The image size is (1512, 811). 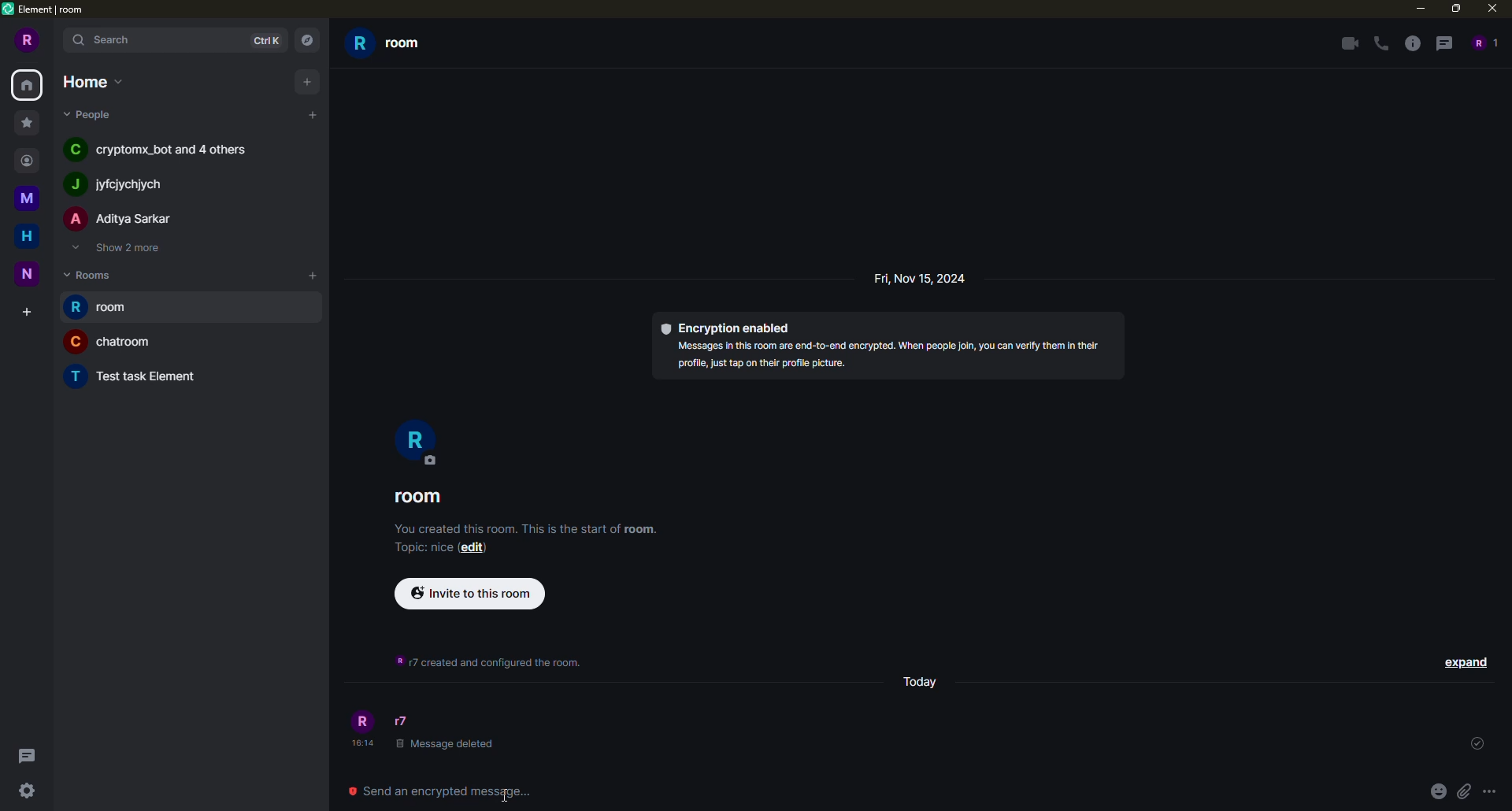 What do you see at coordinates (30, 275) in the screenshot?
I see `space` at bounding box center [30, 275].